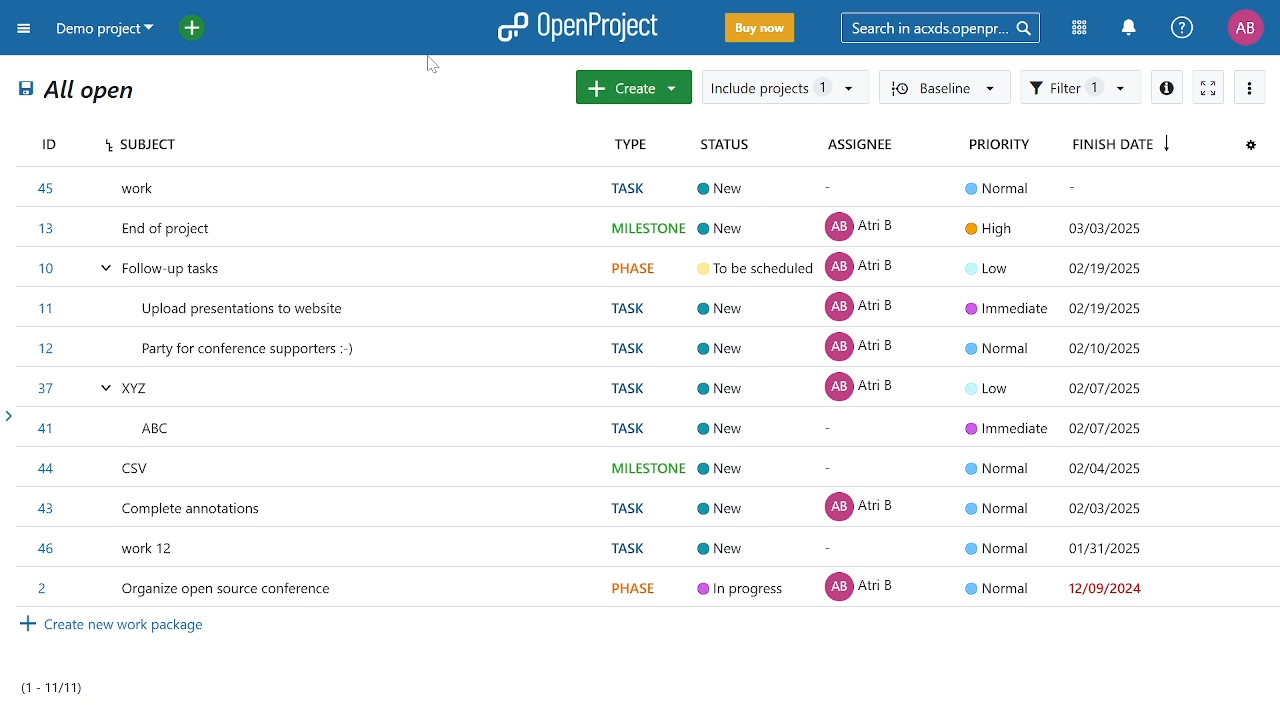 Image resolution: width=1280 pixels, height=720 pixels. Describe the element at coordinates (109, 628) in the screenshot. I see `Create new work packages` at that location.